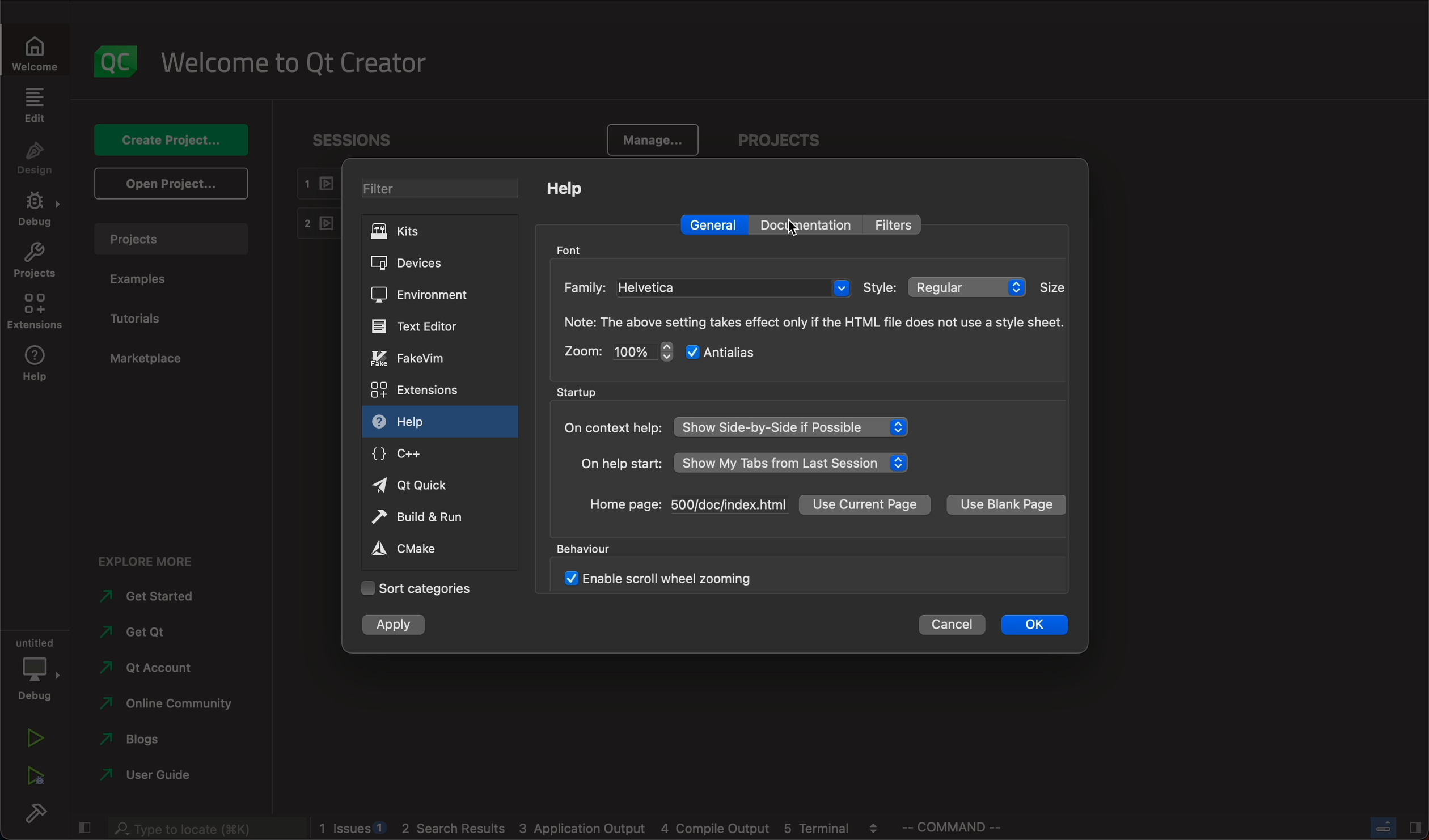 The width and height of the screenshot is (1429, 840). Describe the element at coordinates (206, 829) in the screenshot. I see `search bar` at that location.